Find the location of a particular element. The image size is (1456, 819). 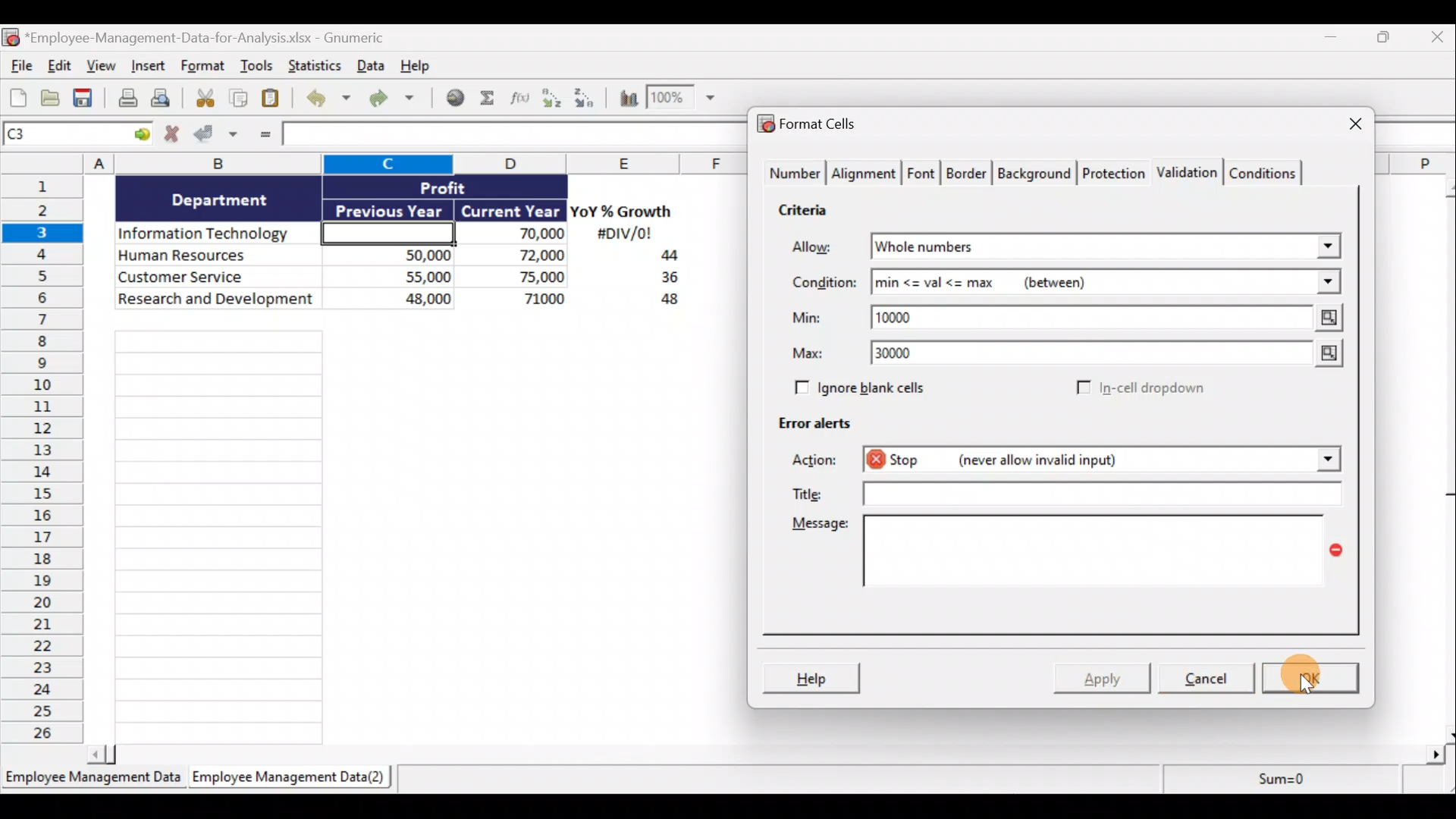

YoY% Growth is located at coordinates (622, 212).